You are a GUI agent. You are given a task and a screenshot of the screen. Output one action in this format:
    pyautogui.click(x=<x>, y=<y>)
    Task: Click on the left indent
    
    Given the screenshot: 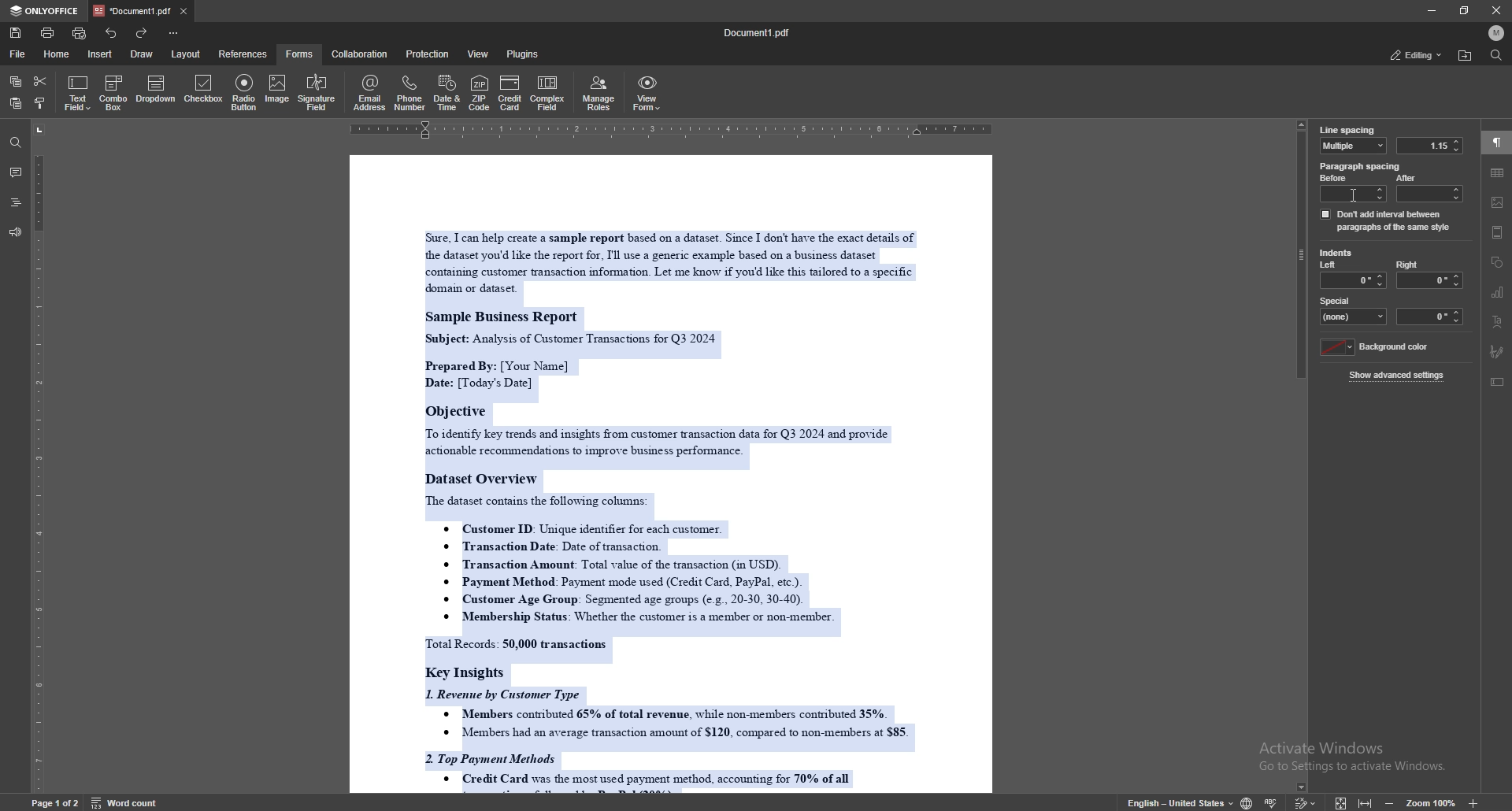 What is the action you would take?
    pyautogui.click(x=1353, y=275)
    